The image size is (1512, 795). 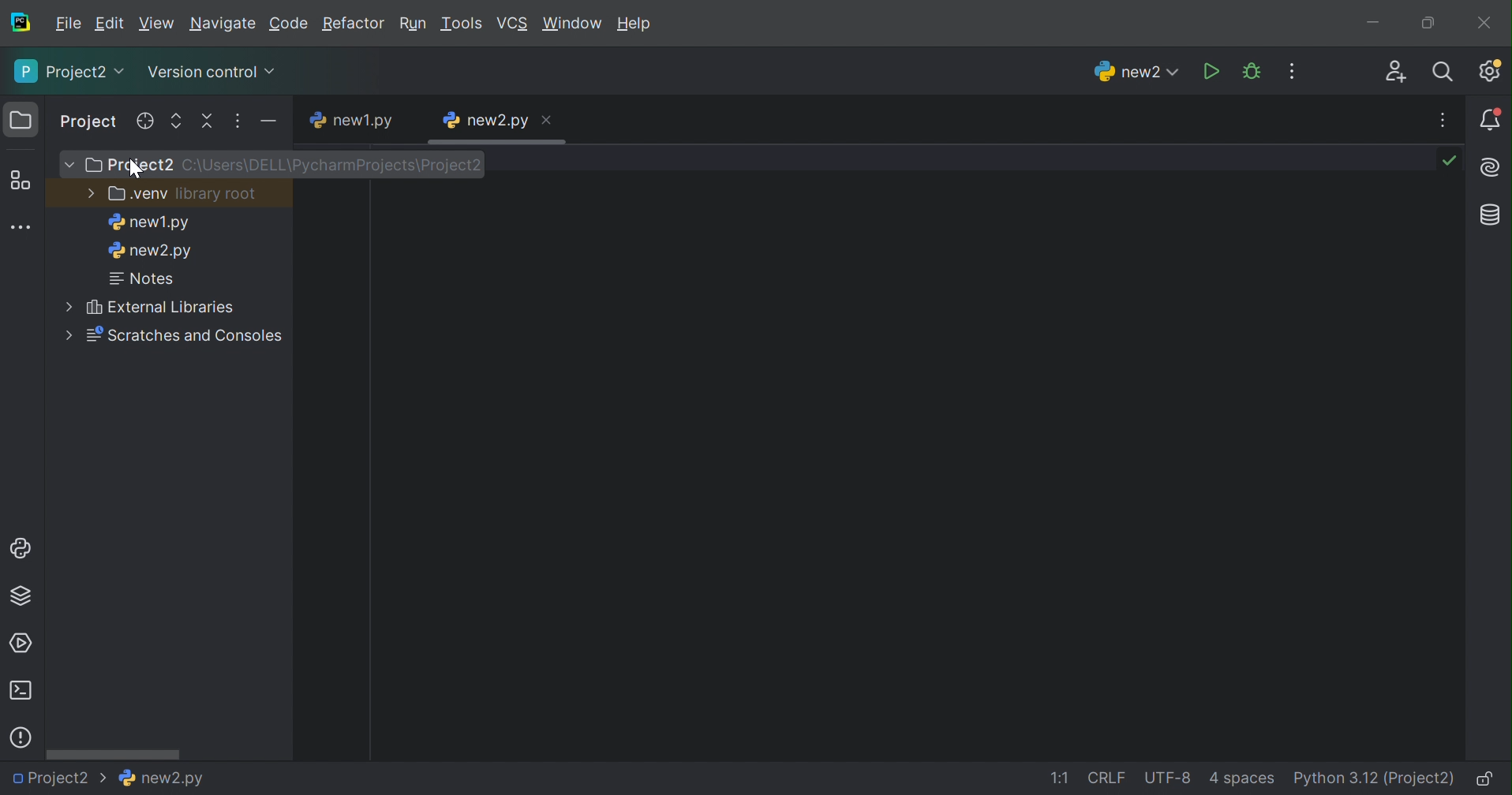 What do you see at coordinates (574, 24) in the screenshot?
I see `Windows` at bounding box center [574, 24].